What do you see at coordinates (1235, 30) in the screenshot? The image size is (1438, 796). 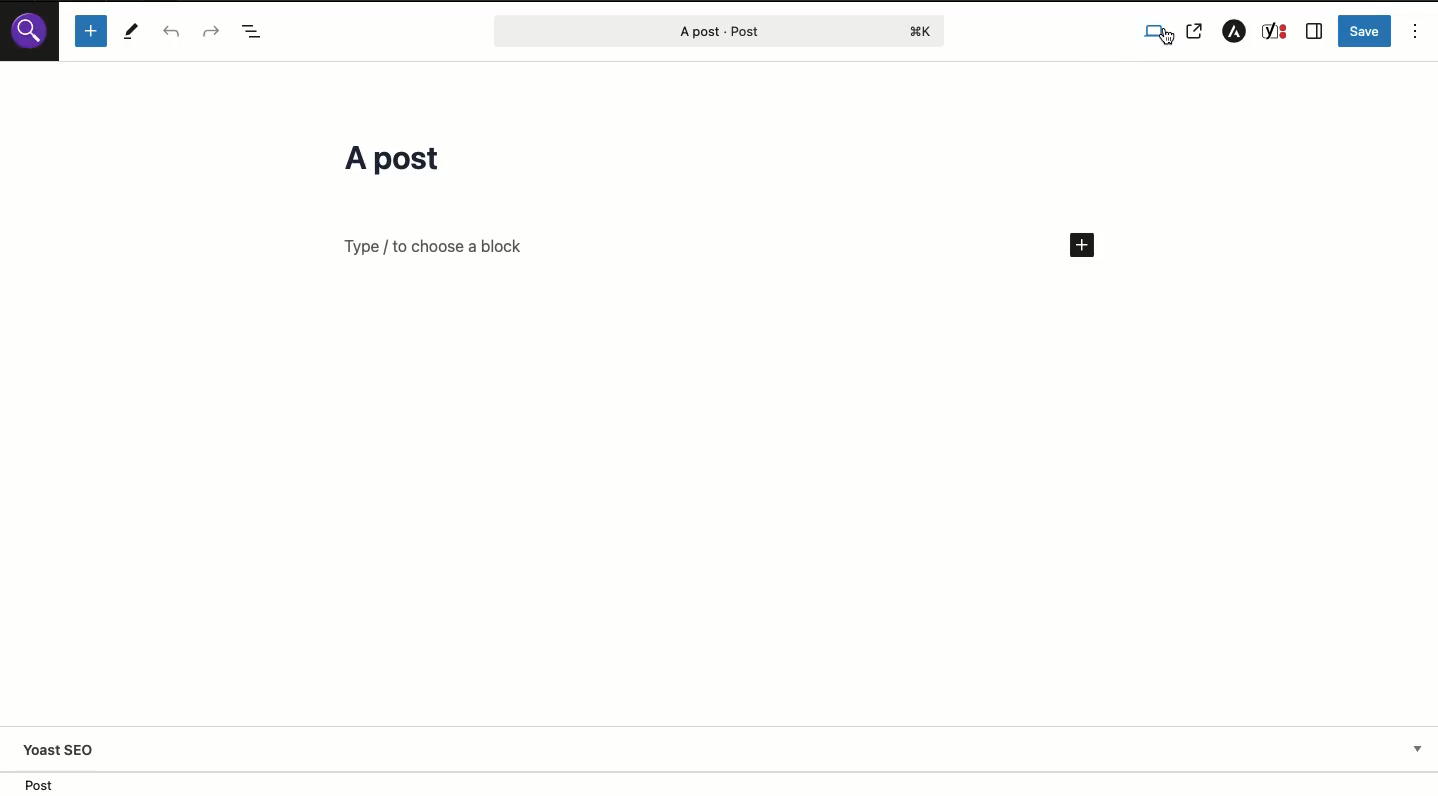 I see `Astra` at bounding box center [1235, 30].